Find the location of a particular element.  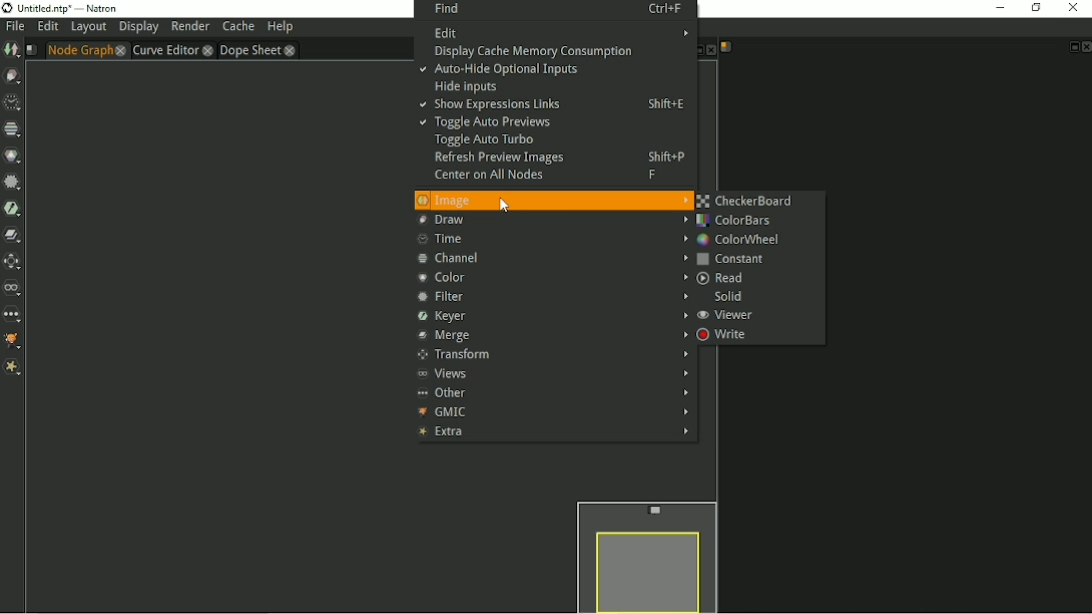

Extra is located at coordinates (13, 369).